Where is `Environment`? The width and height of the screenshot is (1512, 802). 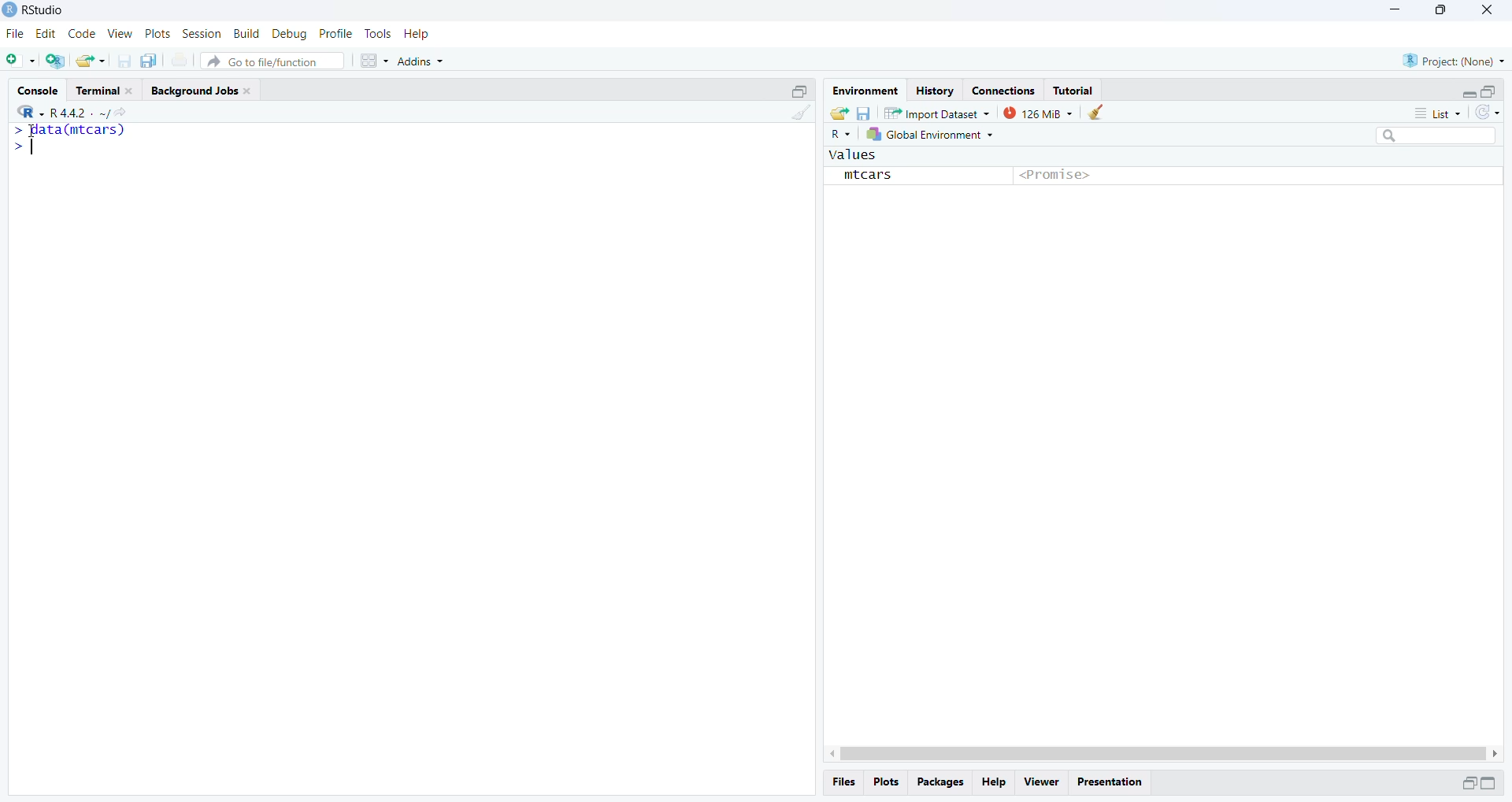
Environment is located at coordinates (863, 89).